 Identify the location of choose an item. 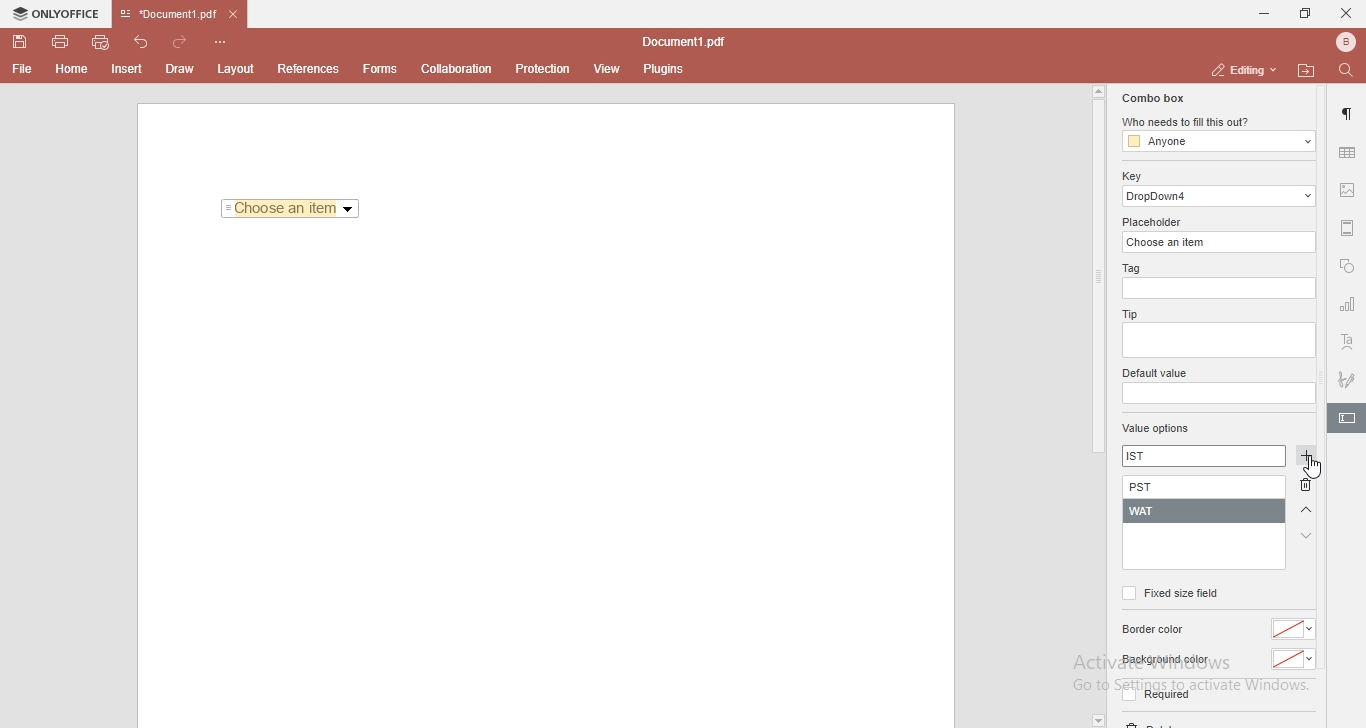
(1221, 241).